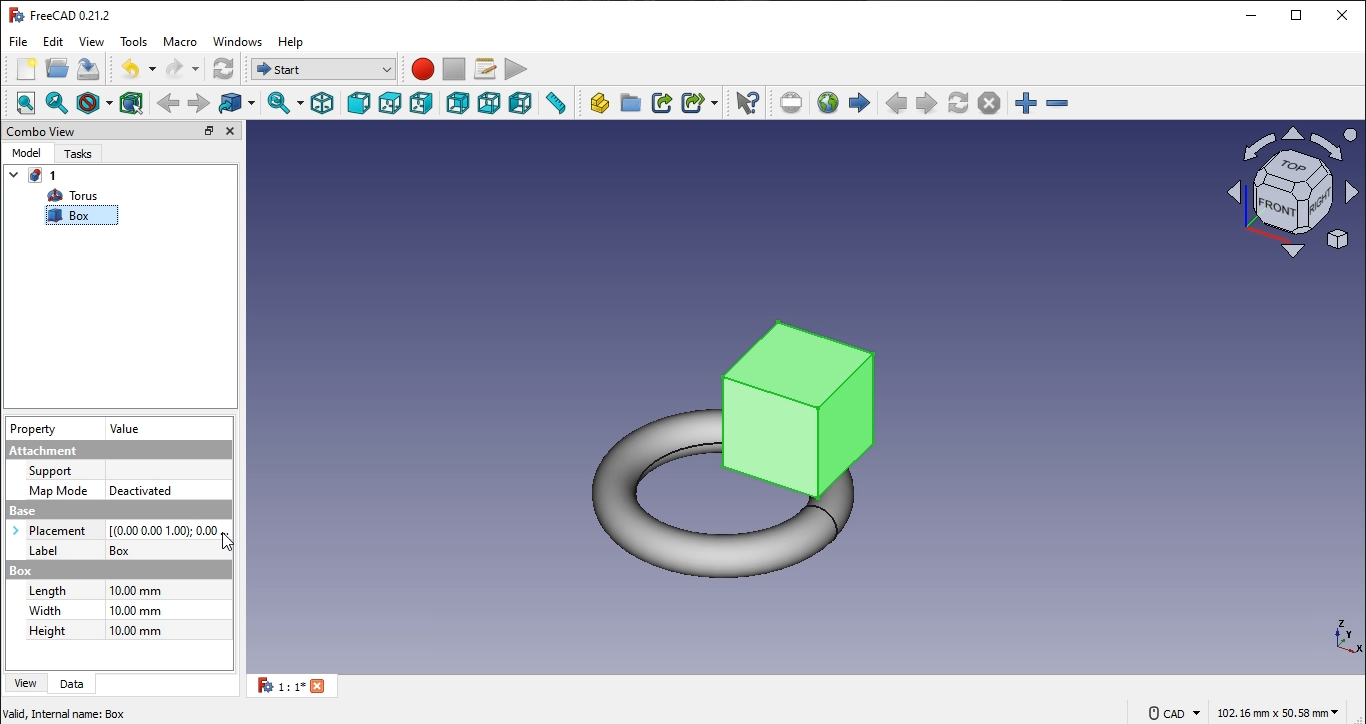 The image size is (1366, 724). Describe the element at coordinates (112, 569) in the screenshot. I see `box` at that location.